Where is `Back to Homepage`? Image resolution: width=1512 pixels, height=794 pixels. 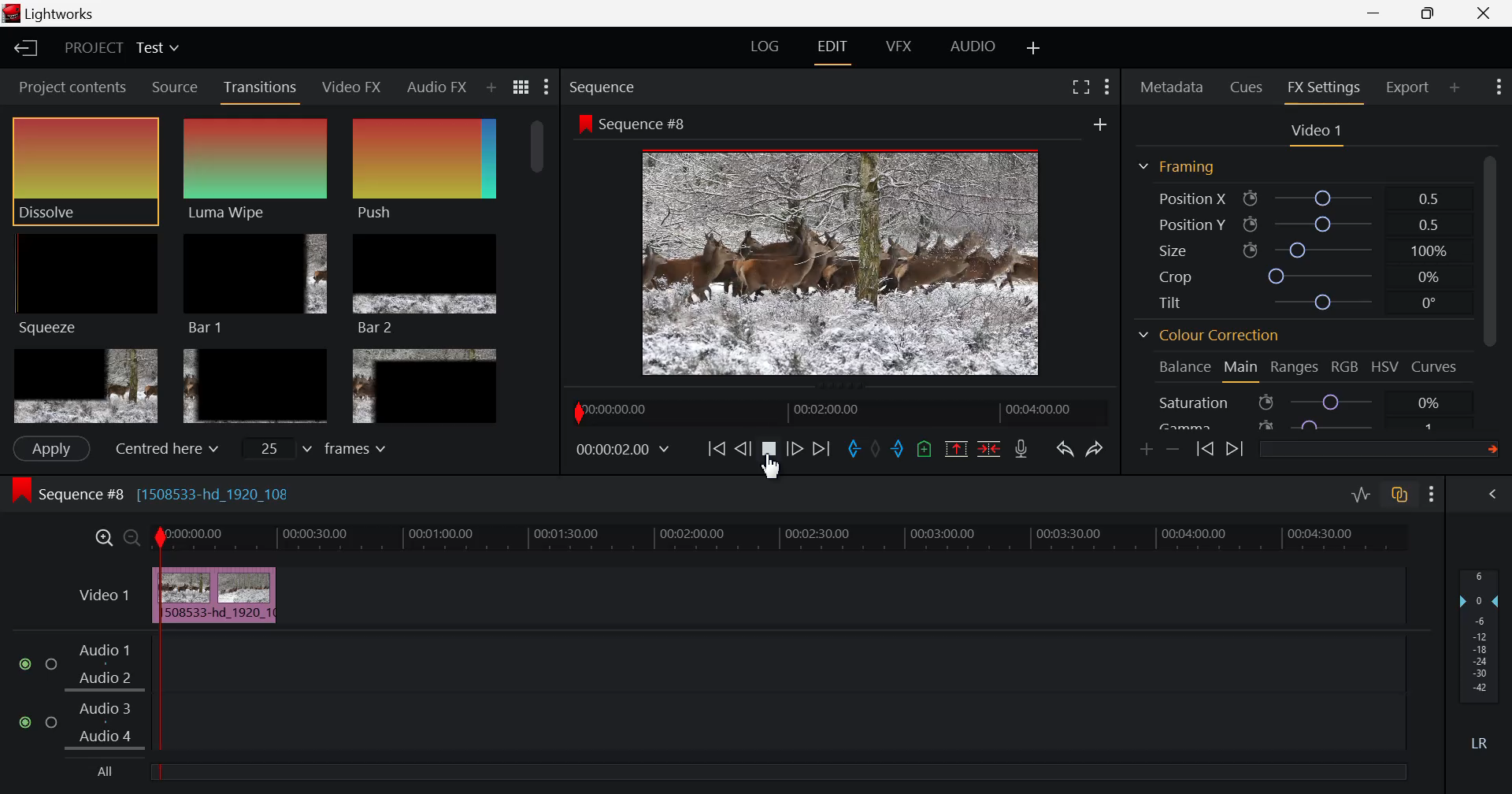 Back to Homepage is located at coordinates (20, 50).